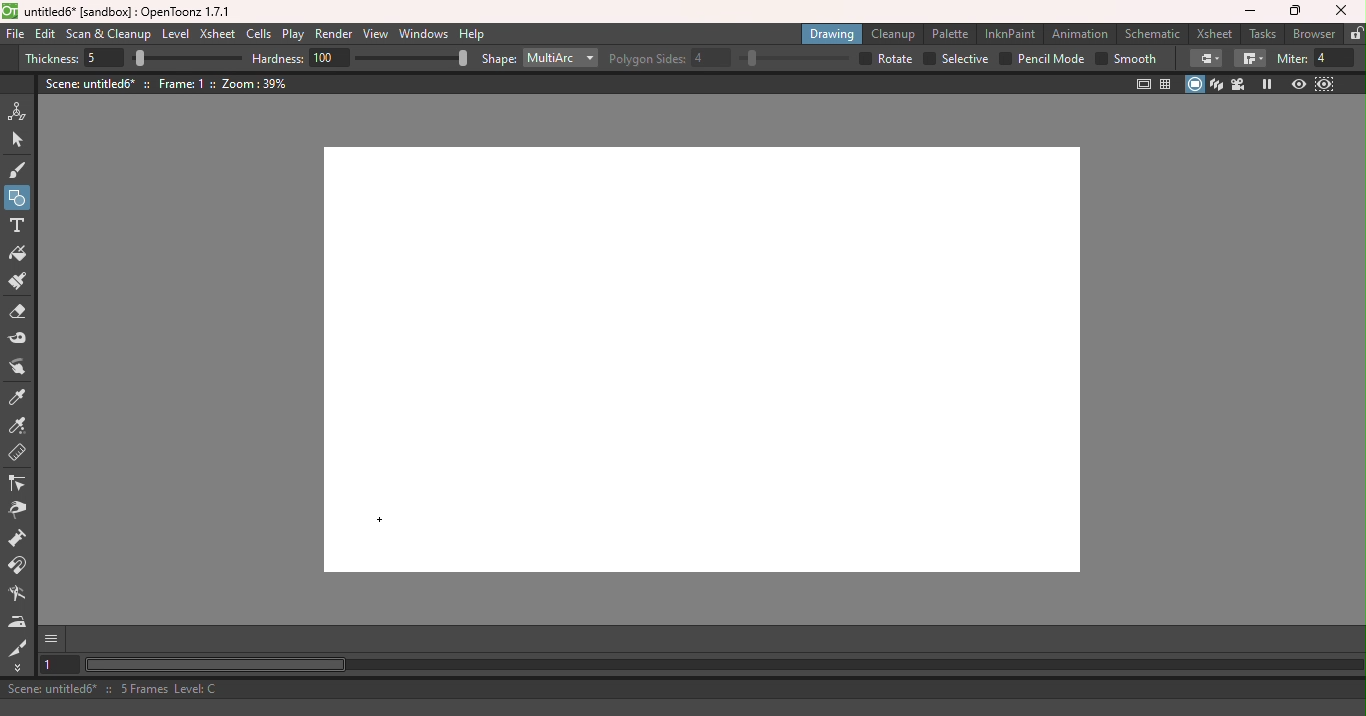 Image resolution: width=1366 pixels, height=716 pixels. What do you see at coordinates (1324, 85) in the screenshot?
I see `Sub-camera preview` at bounding box center [1324, 85].